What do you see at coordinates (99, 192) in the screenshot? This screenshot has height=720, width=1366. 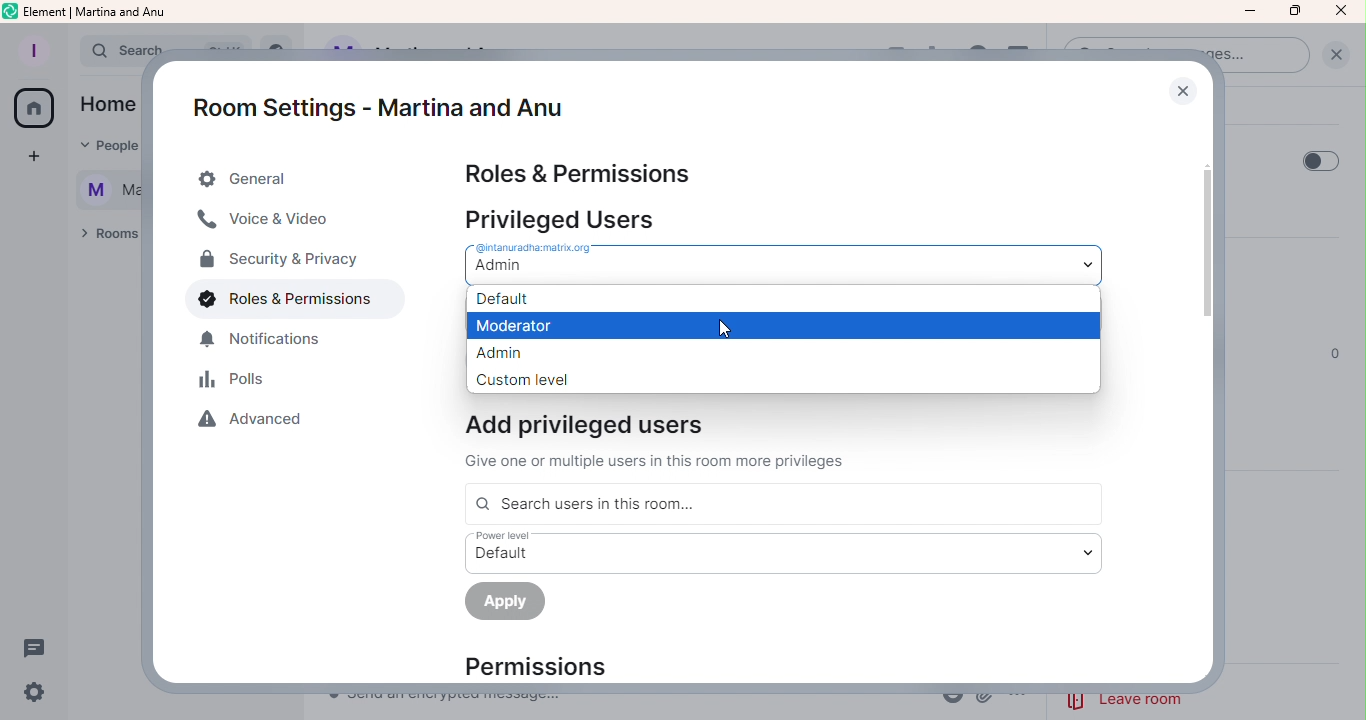 I see `Martina and Anu` at bounding box center [99, 192].